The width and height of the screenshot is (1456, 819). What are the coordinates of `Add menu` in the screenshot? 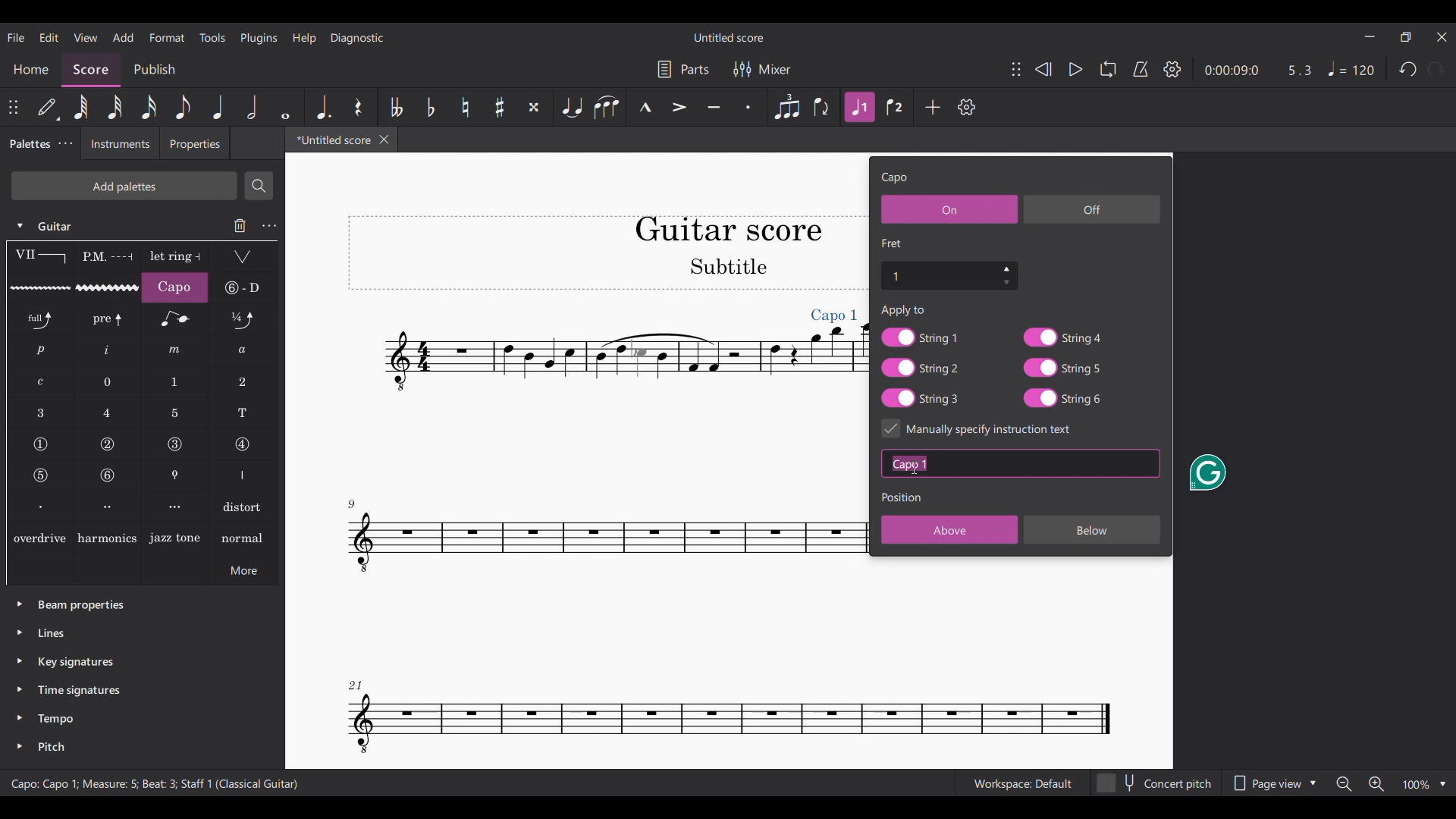 It's located at (123, 37).